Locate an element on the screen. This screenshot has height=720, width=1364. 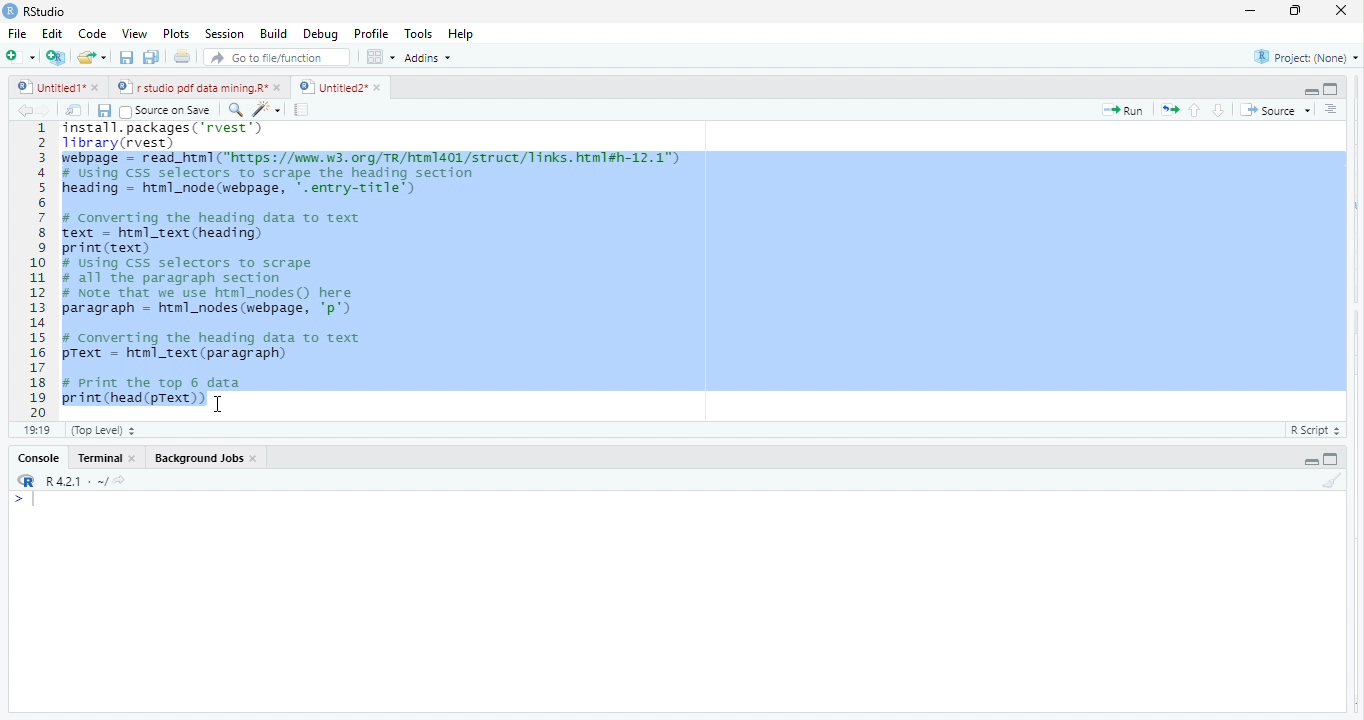
19:19 is located at coordinates (37, 429).